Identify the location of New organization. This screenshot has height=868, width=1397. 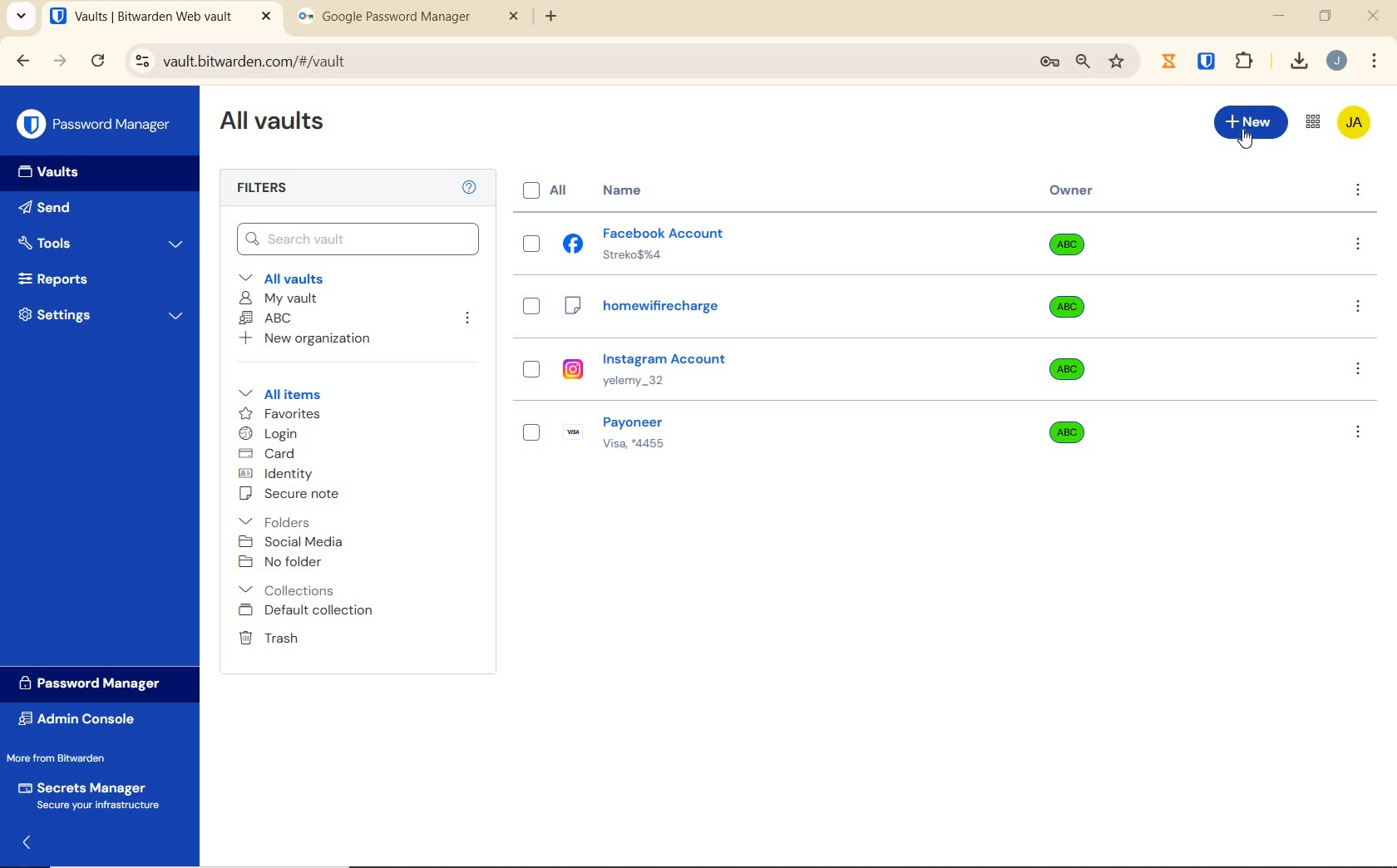
(303, 338).